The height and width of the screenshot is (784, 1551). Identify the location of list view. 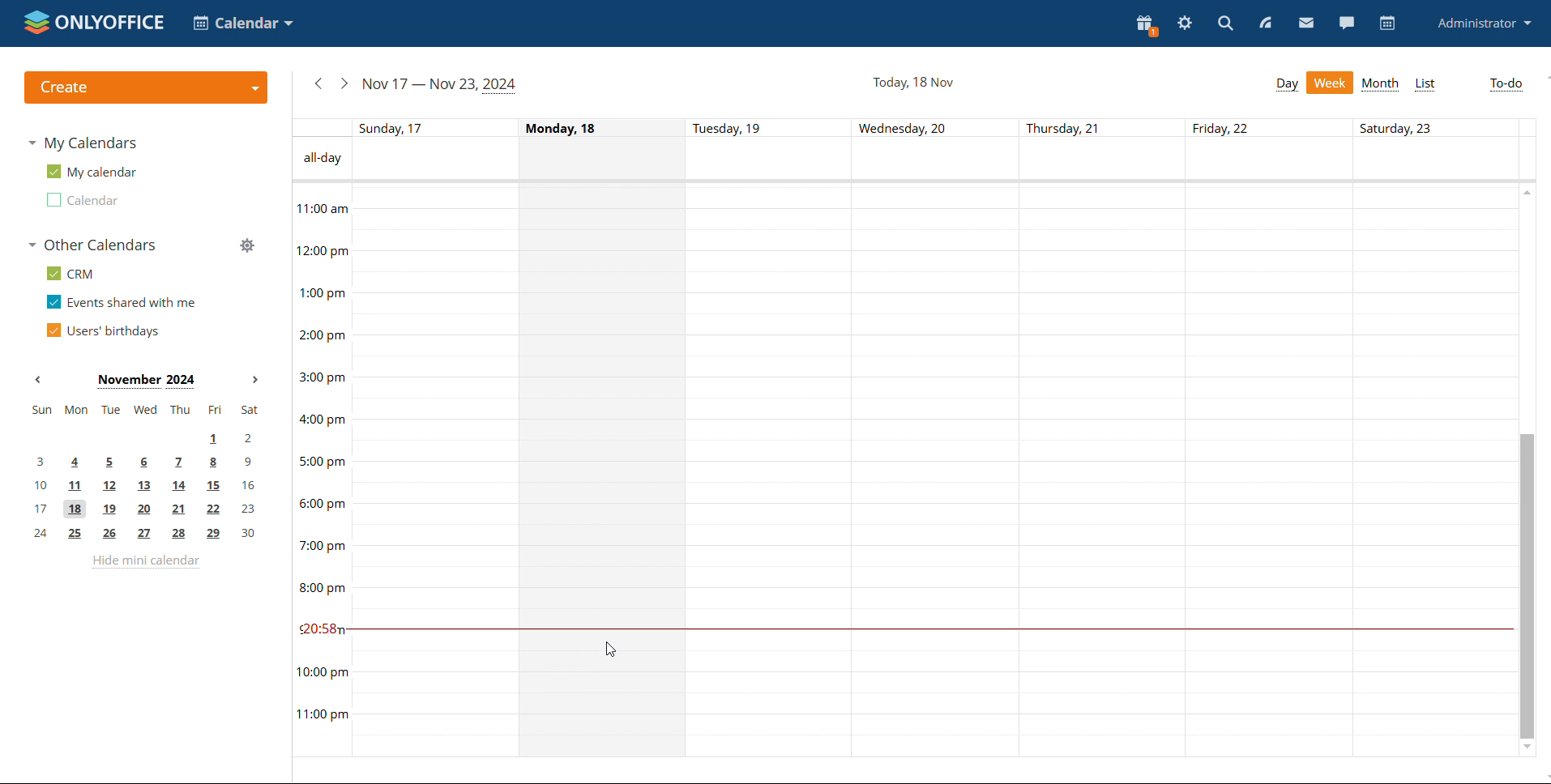
(1425, 84).